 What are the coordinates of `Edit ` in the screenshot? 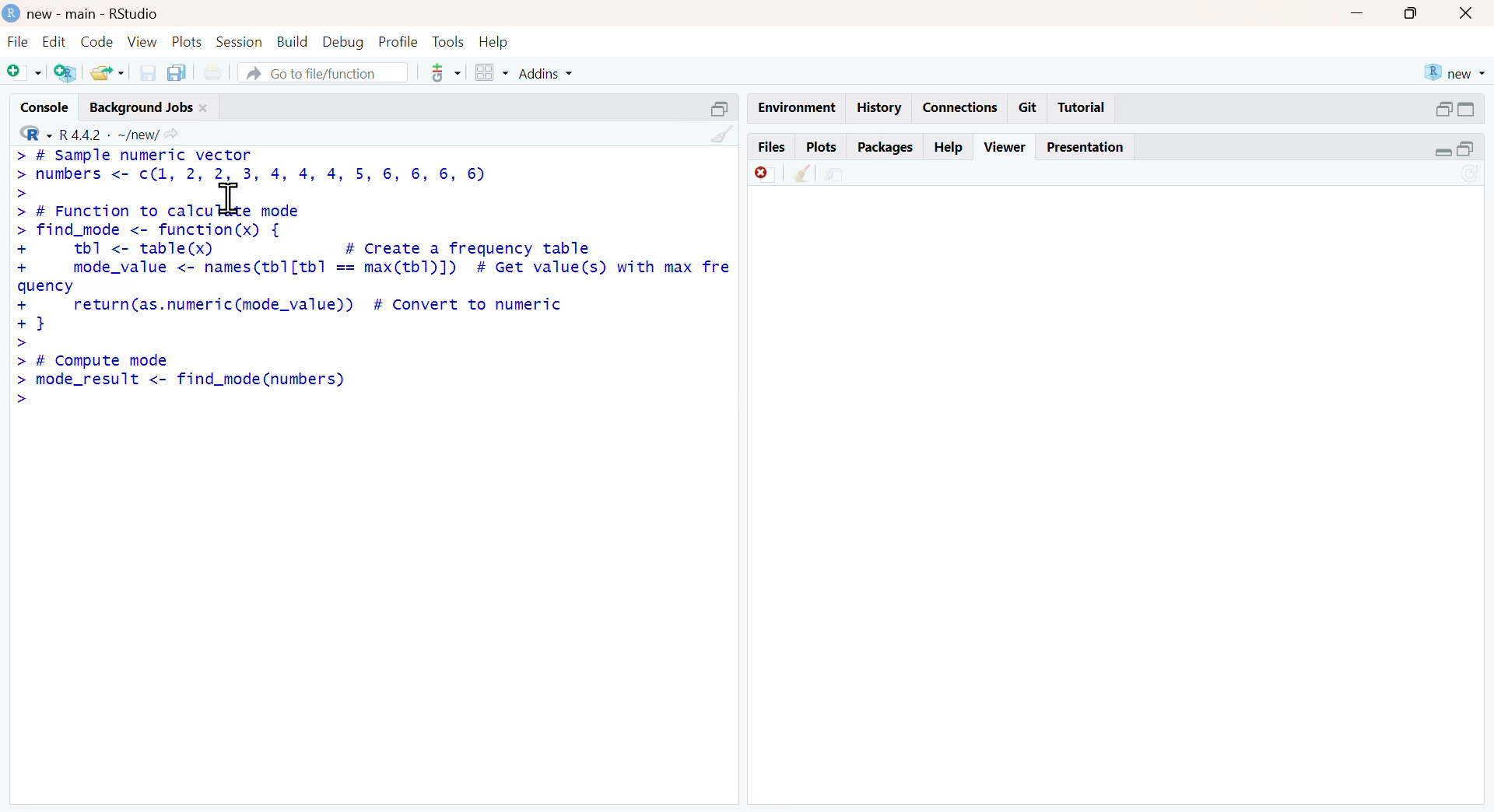 It's located at (55, 40).